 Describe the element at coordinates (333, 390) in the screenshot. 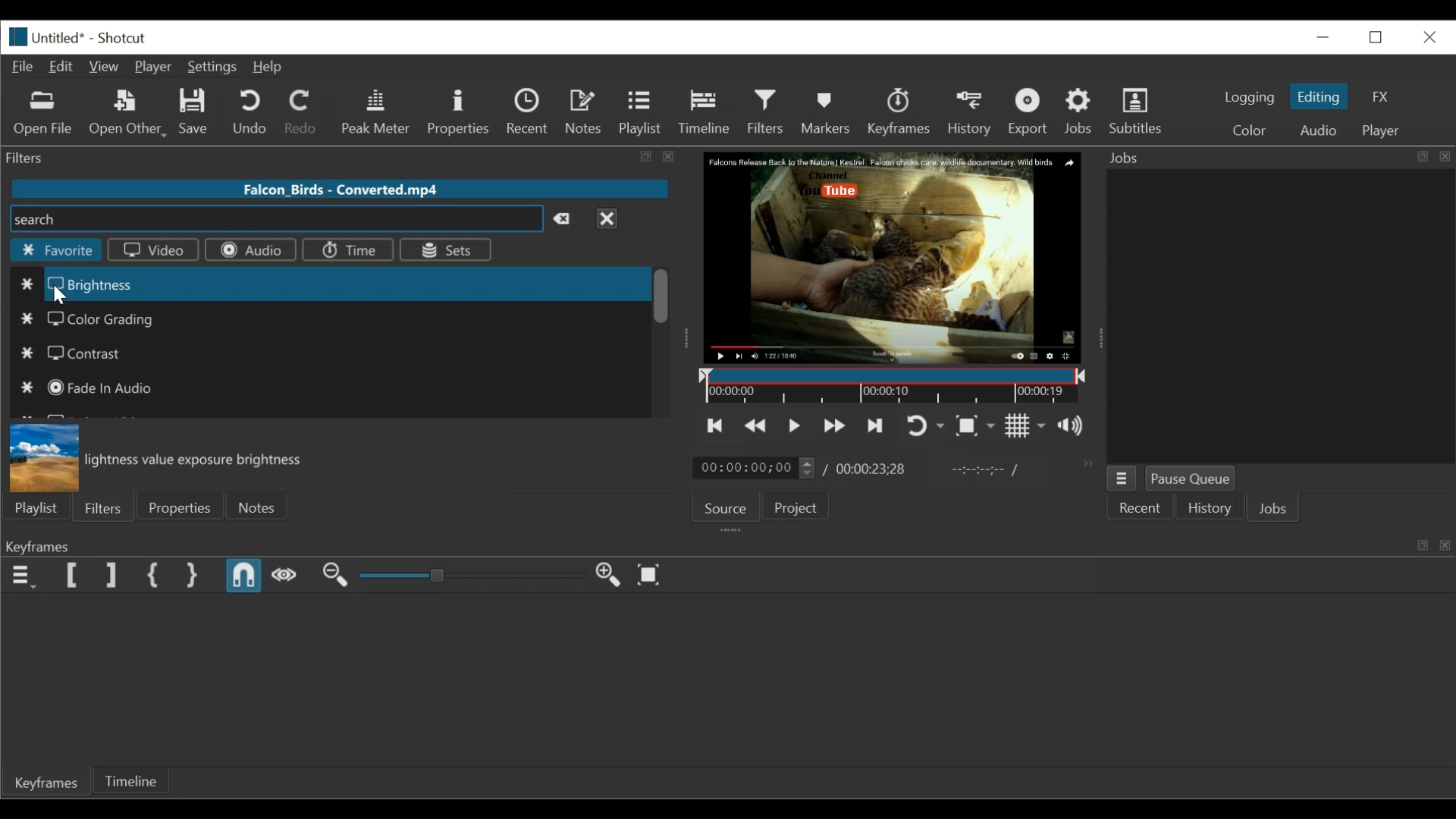

I see `Fade in Audio` at that location.